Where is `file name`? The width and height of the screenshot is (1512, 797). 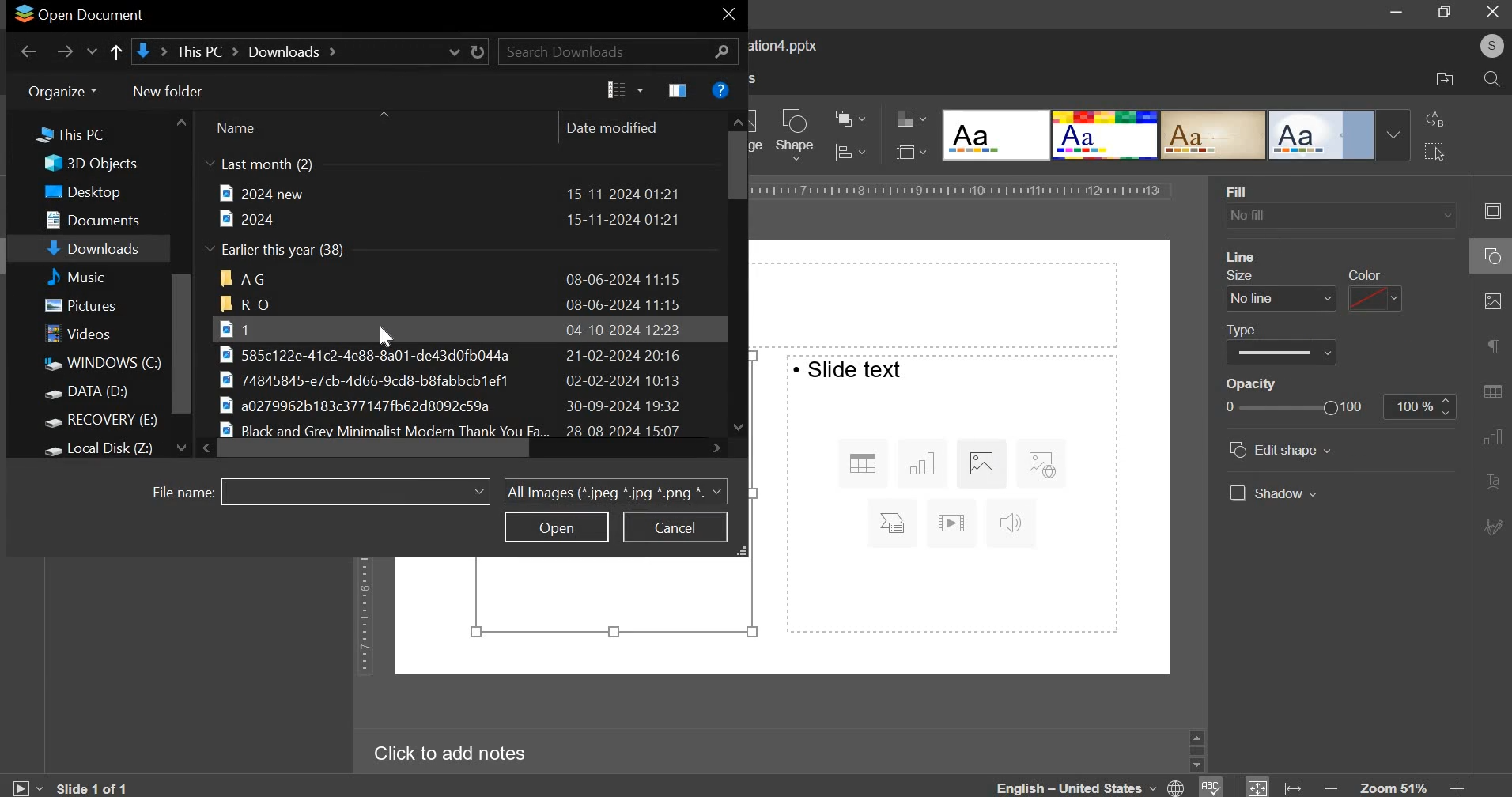 file name is located at coordinates (177, 493).